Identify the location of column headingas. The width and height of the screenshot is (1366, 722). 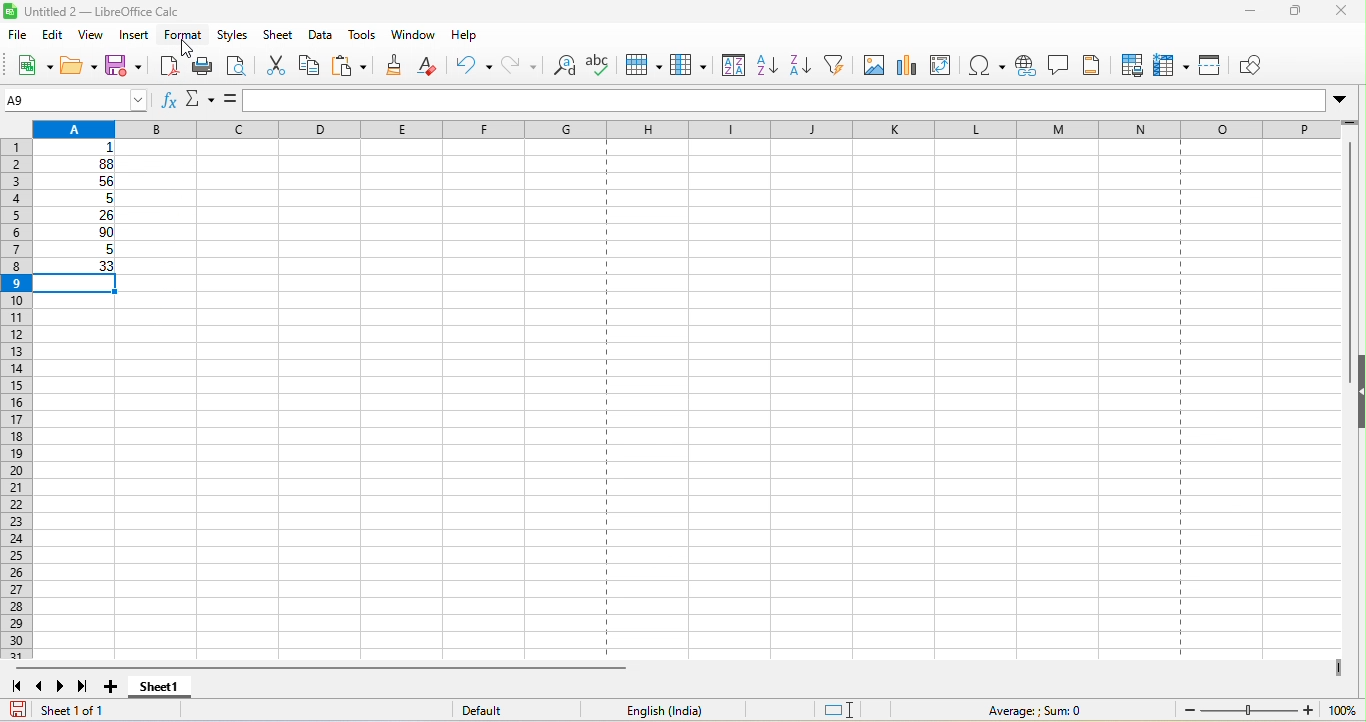
(693, 128).